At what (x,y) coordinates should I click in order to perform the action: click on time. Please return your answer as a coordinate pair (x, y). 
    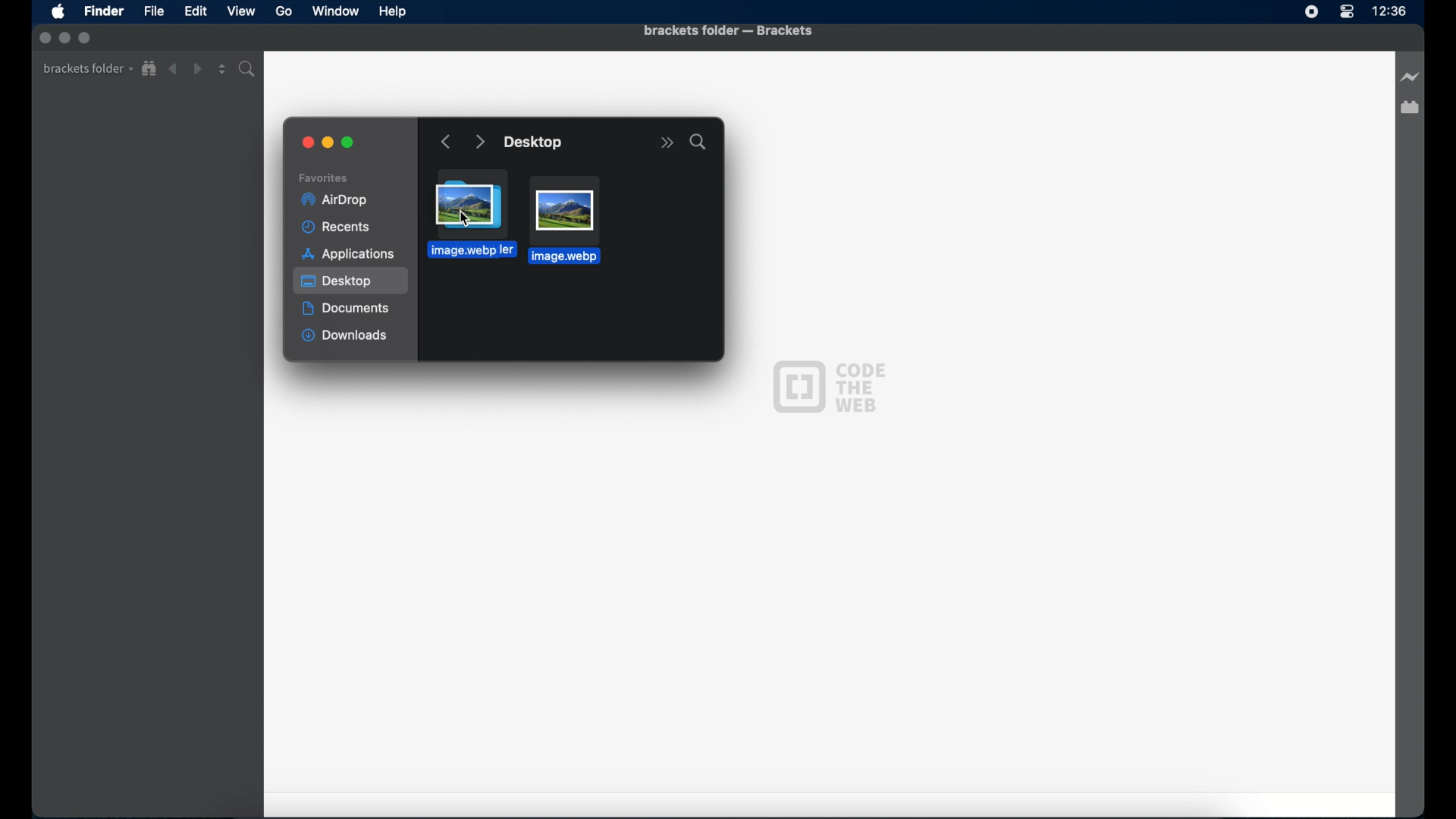
    Looking at the image, I should click on (1389, 11).